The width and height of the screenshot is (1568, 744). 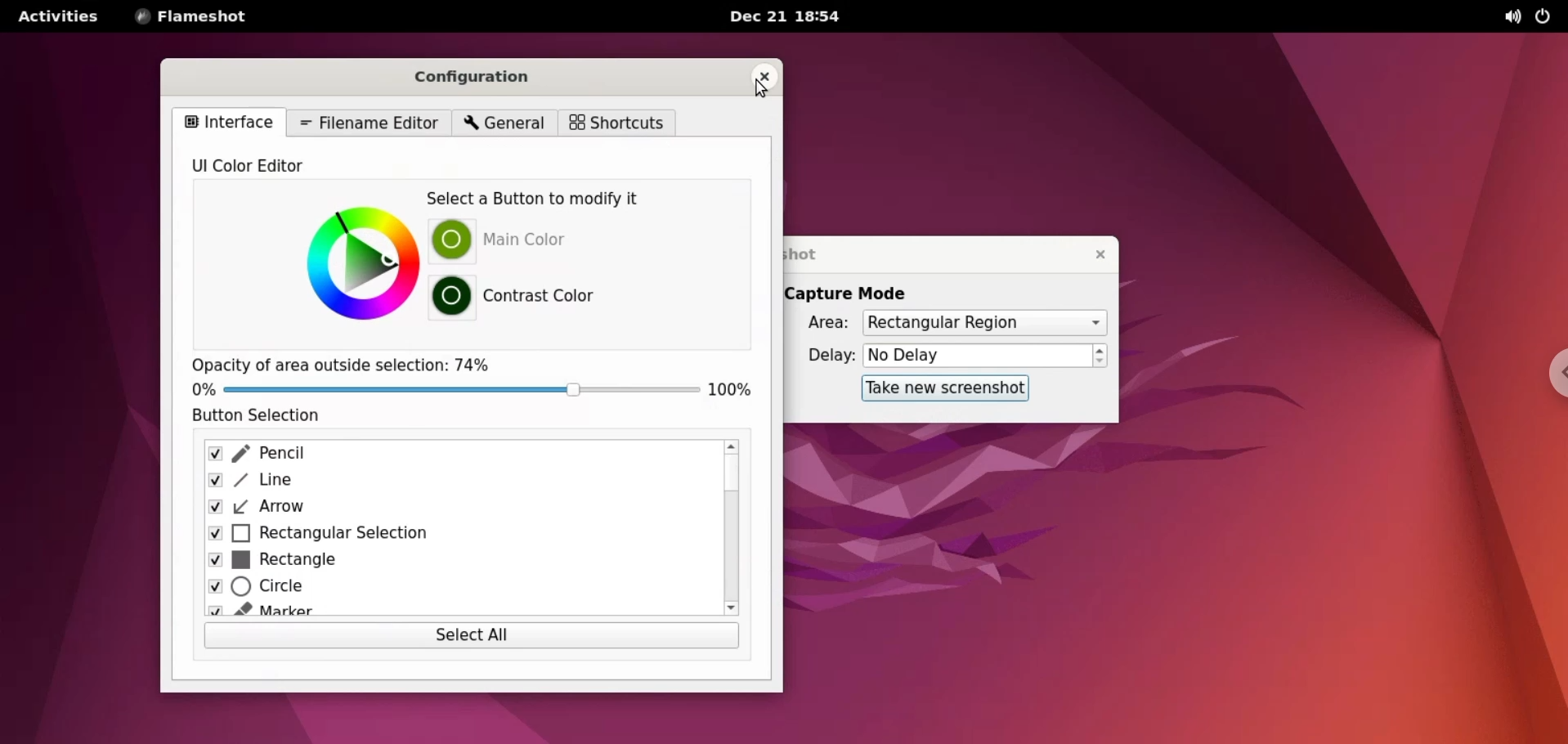 I want to click on power options, so click(x=1548, y=17).